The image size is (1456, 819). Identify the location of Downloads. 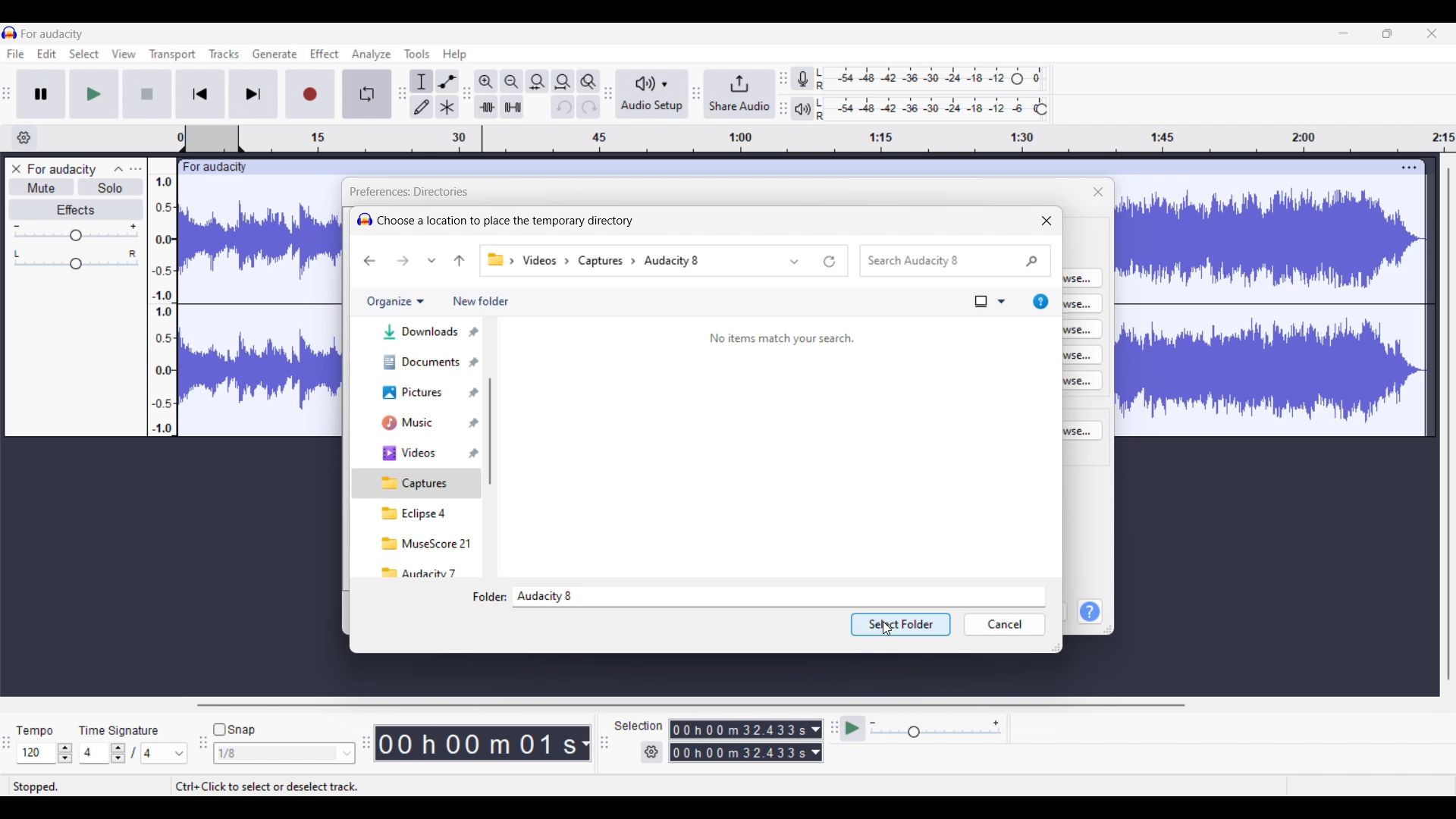
(421, 331).